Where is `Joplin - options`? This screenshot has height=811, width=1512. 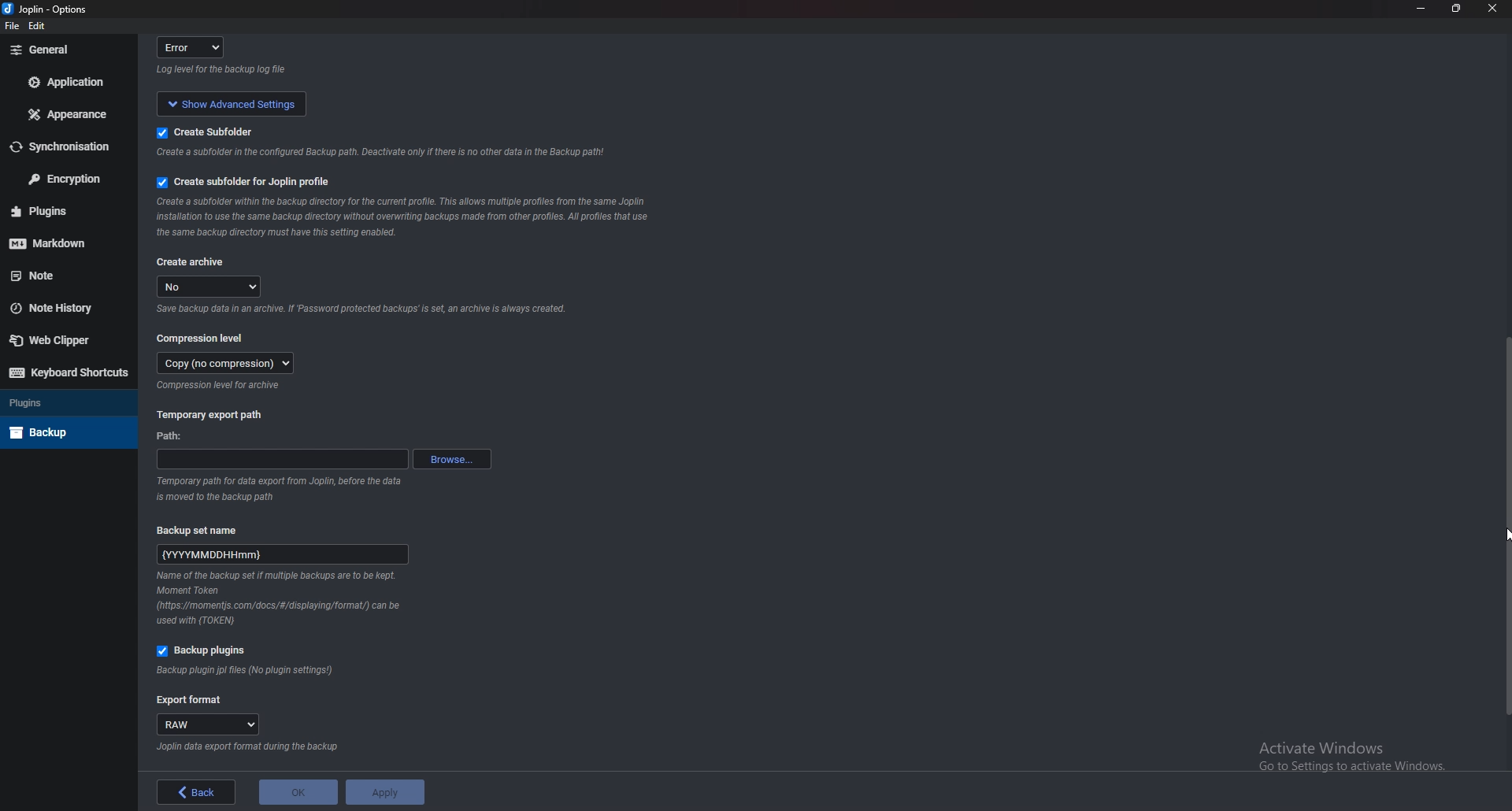 Joplin - options is located at coordinates (48, 10).